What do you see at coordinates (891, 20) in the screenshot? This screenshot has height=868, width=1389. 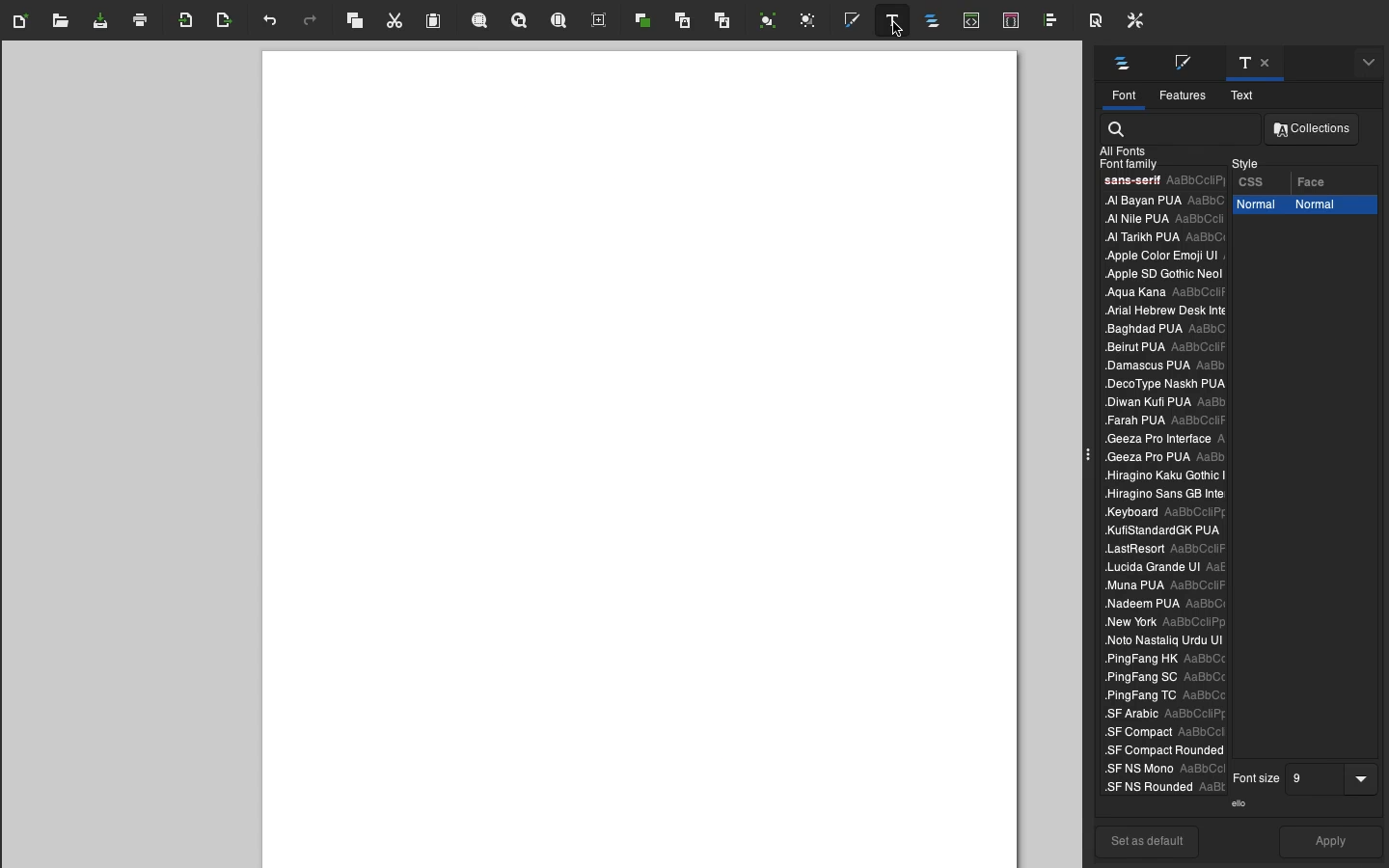 I see `Text selected` at bounding box center [891, 20].